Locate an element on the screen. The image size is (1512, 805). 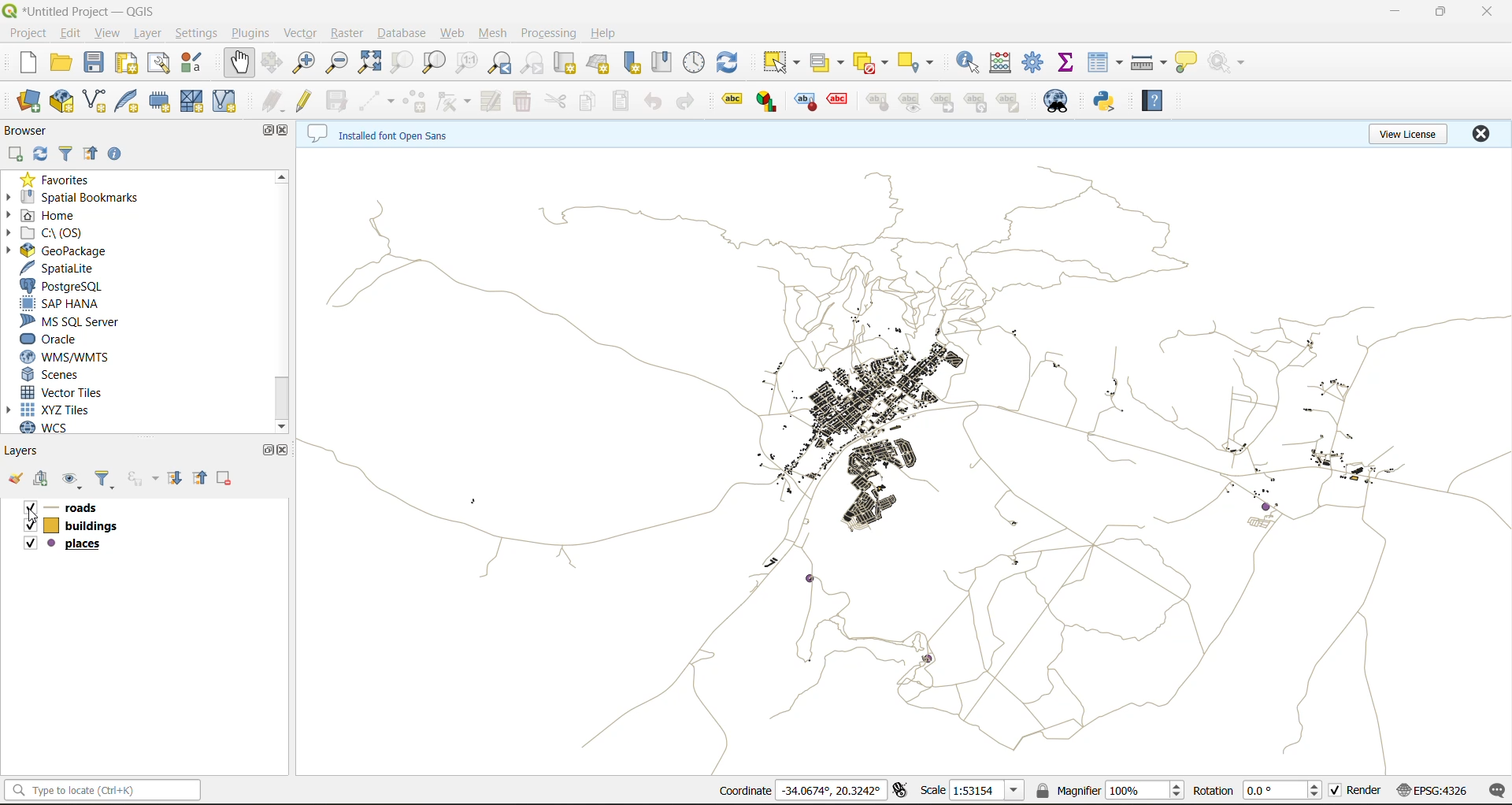
help is located at coordinates (606, 35).